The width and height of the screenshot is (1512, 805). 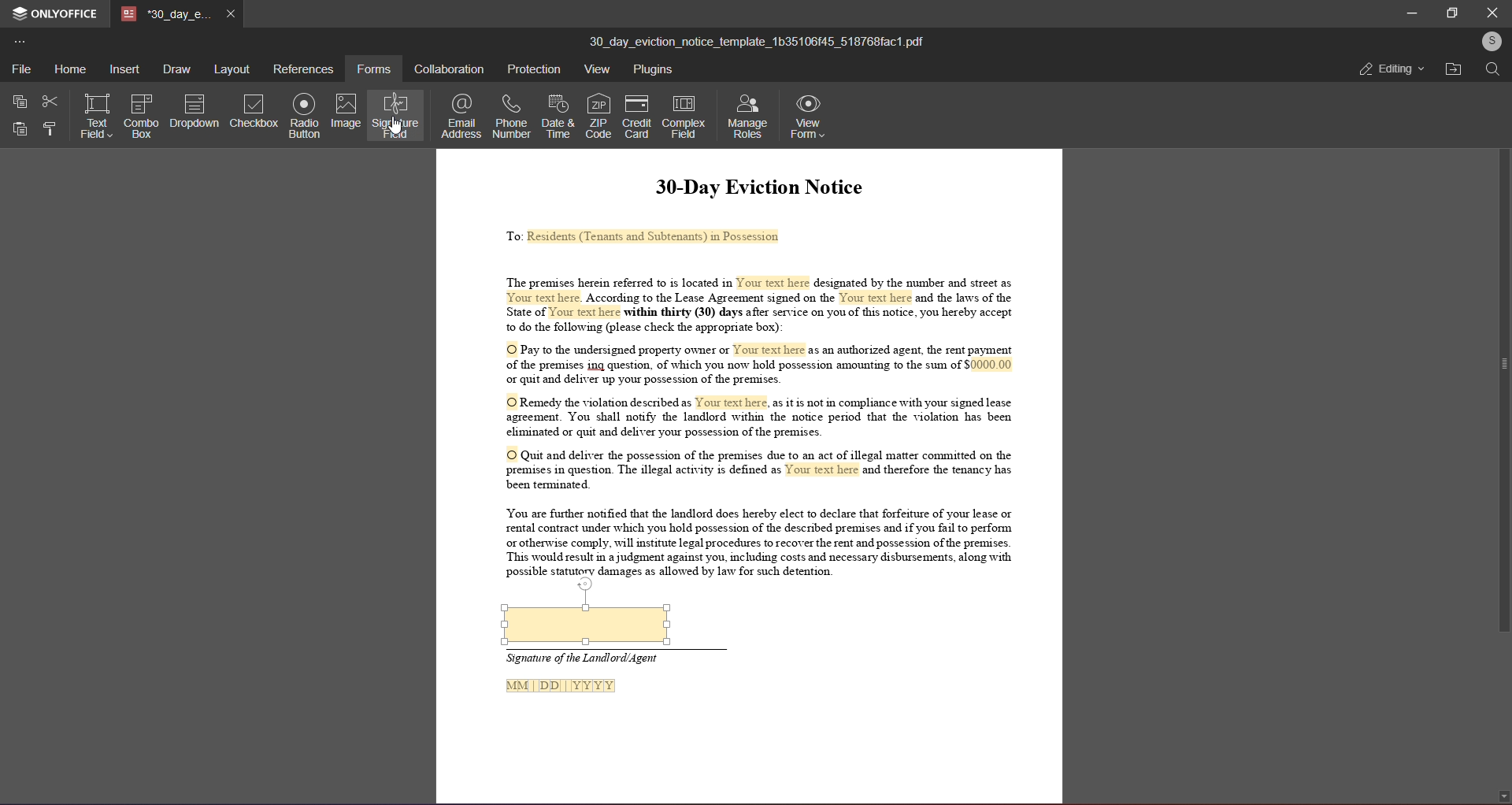 I want to click on draw, so click(x=176, y=69).